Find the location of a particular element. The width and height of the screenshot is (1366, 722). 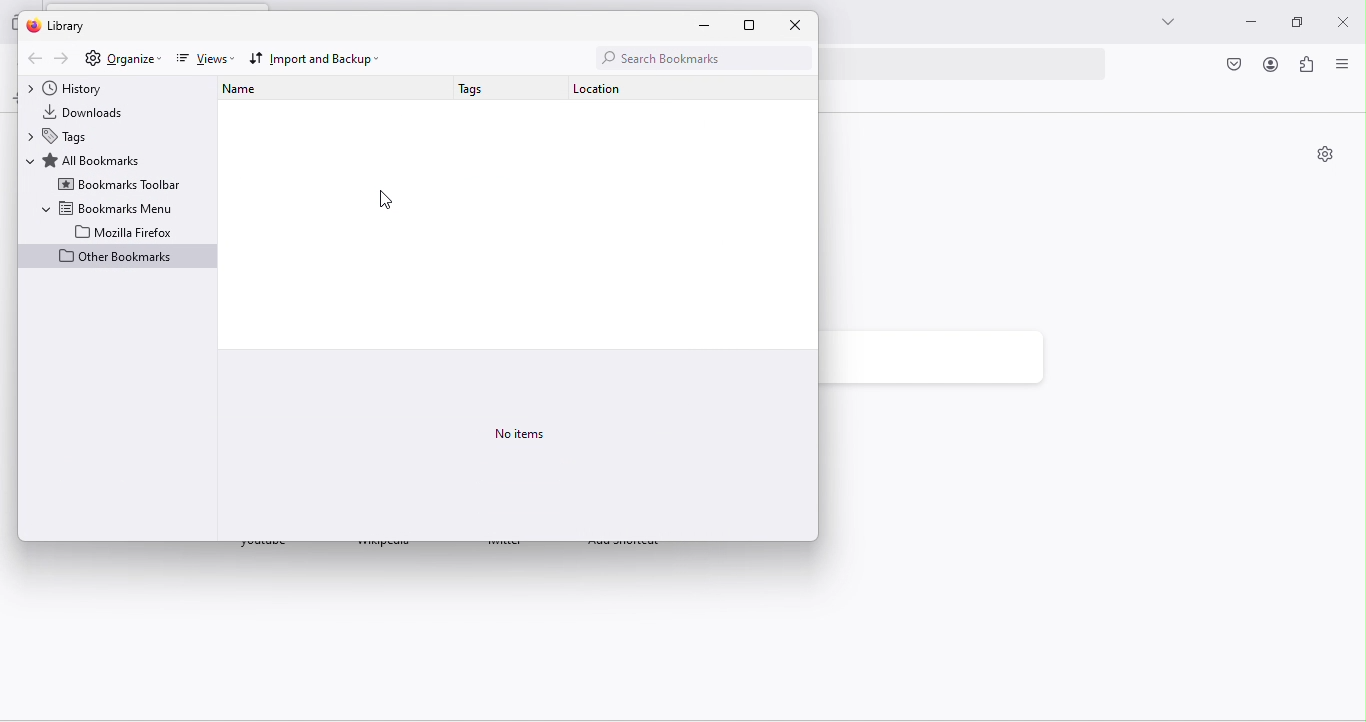

library is located at coordinates (68, 26).